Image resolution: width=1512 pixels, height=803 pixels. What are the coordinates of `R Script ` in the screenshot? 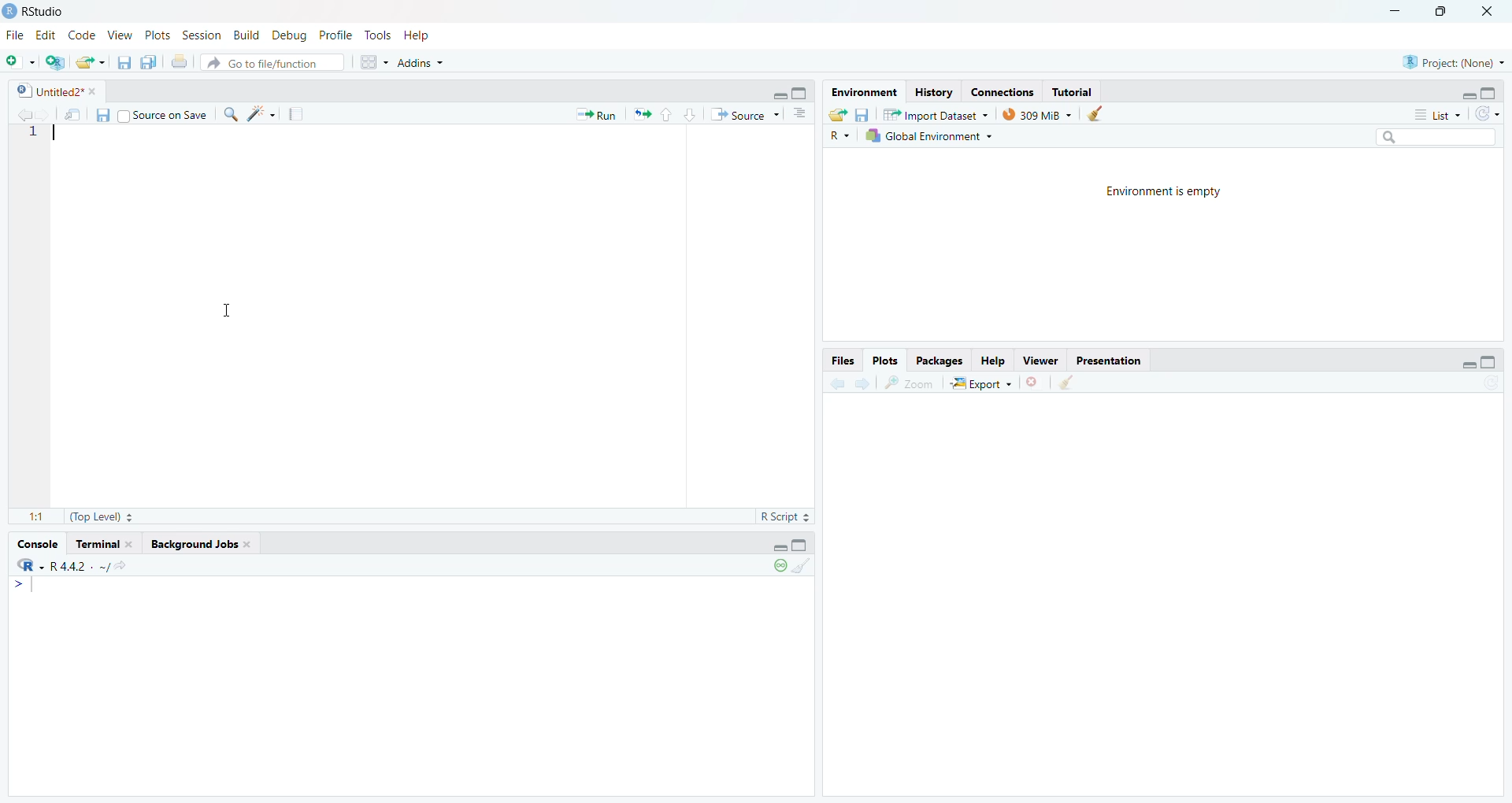 It's located at (775, 516).